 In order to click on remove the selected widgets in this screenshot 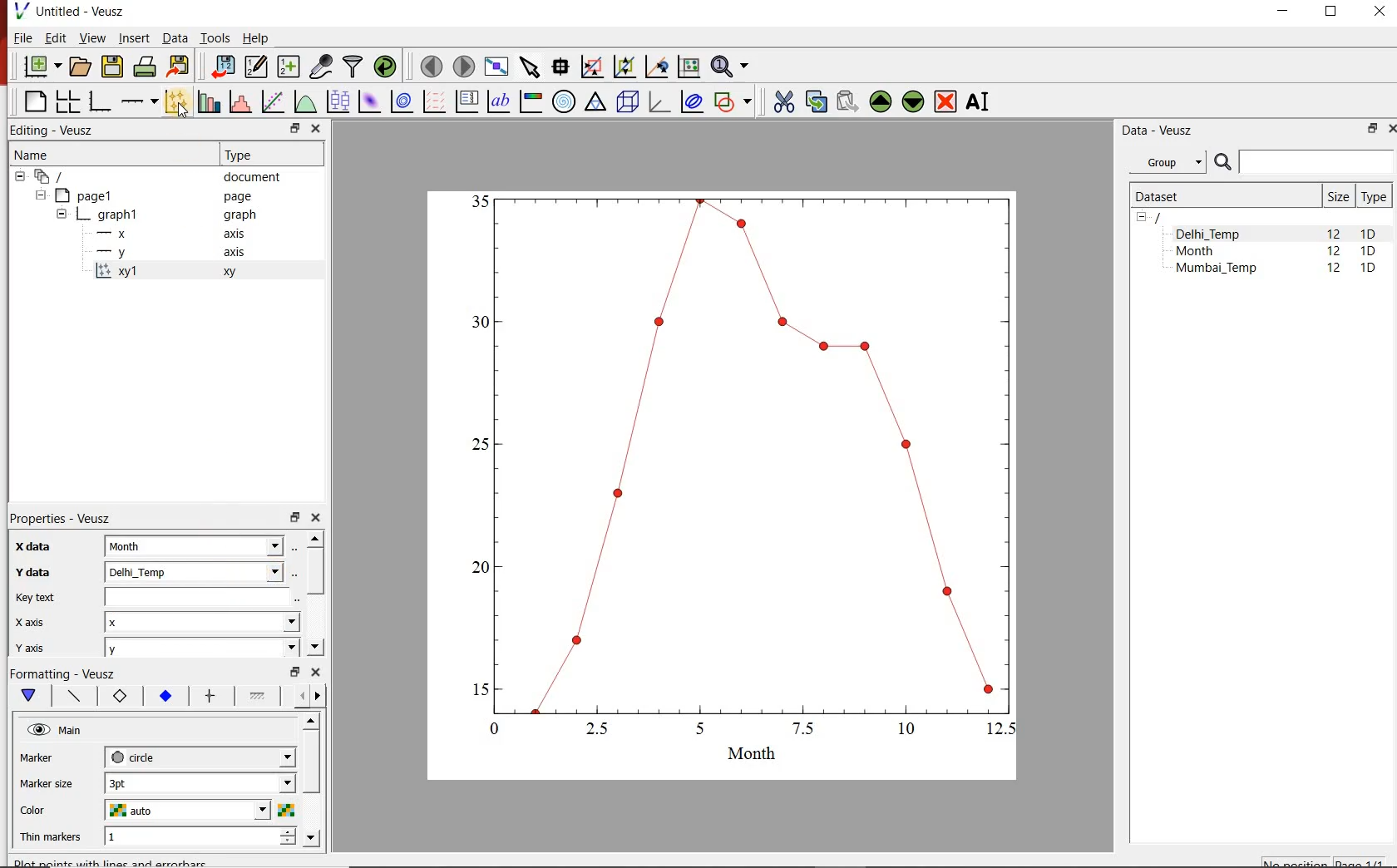, I will do `click(946, 101)`.